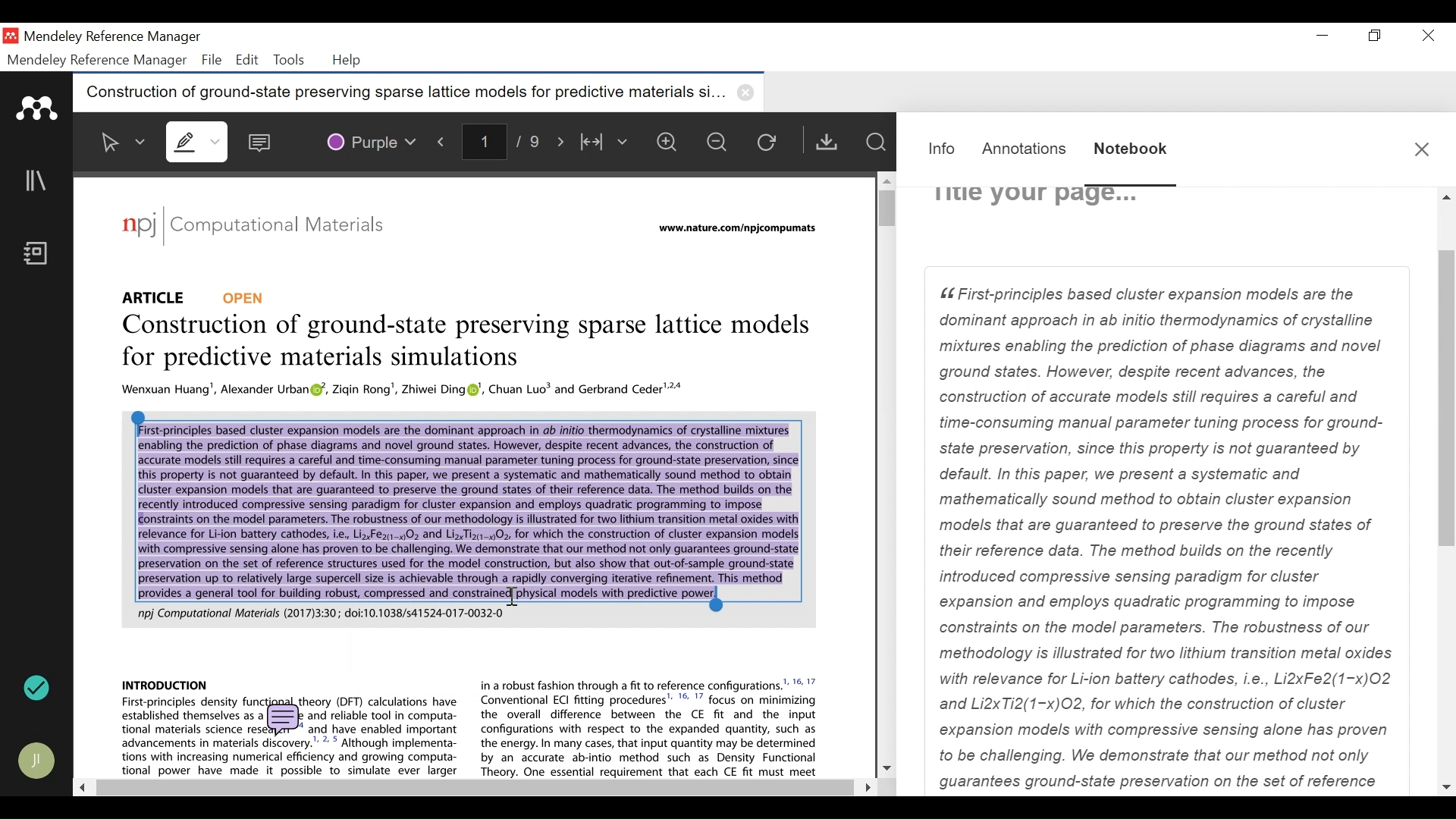 The image size is (1456, 819). I want to click on Reference Type, so click(195, 297).